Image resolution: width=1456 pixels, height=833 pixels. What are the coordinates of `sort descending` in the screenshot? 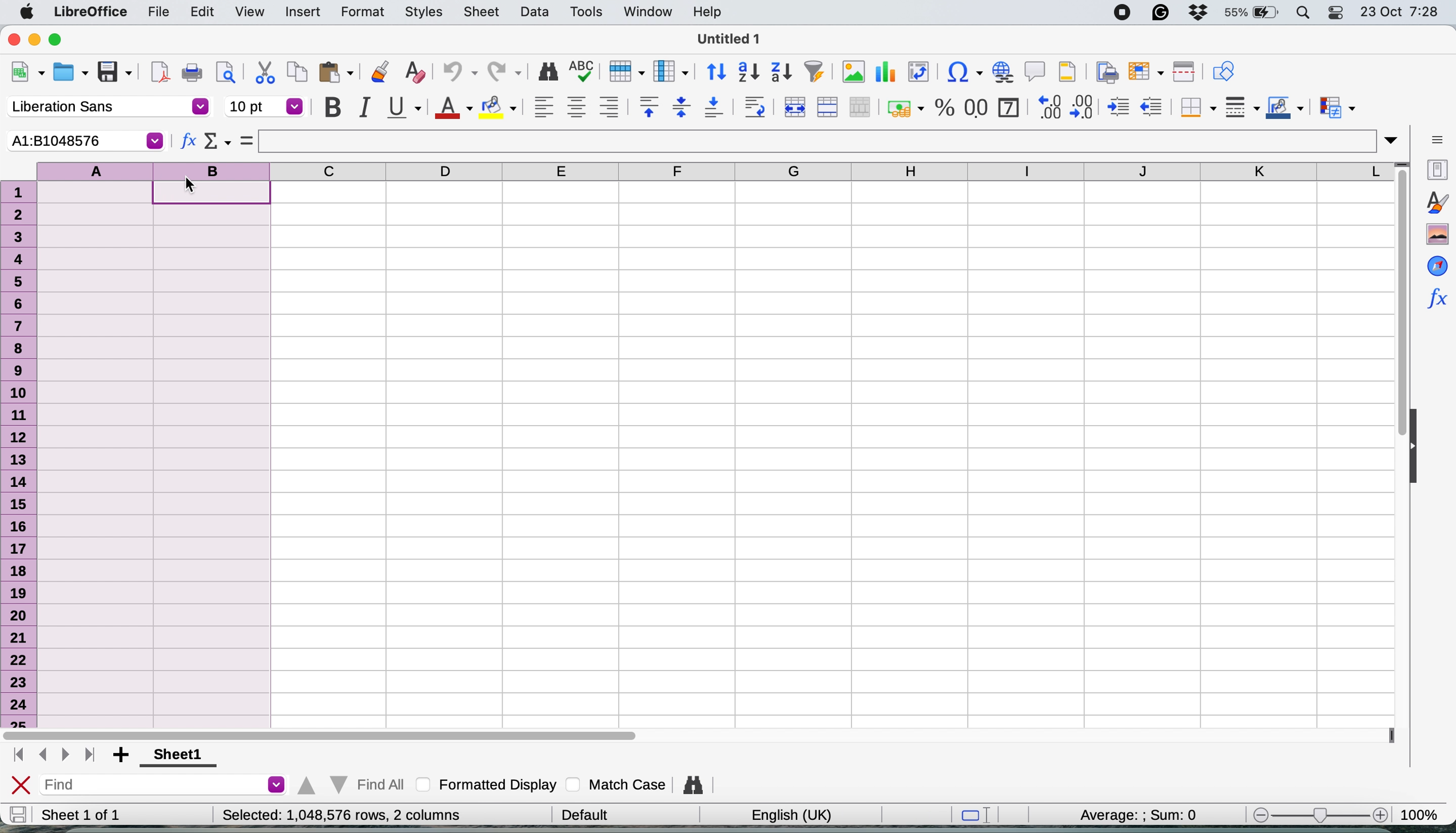 It's located at (782, 72).